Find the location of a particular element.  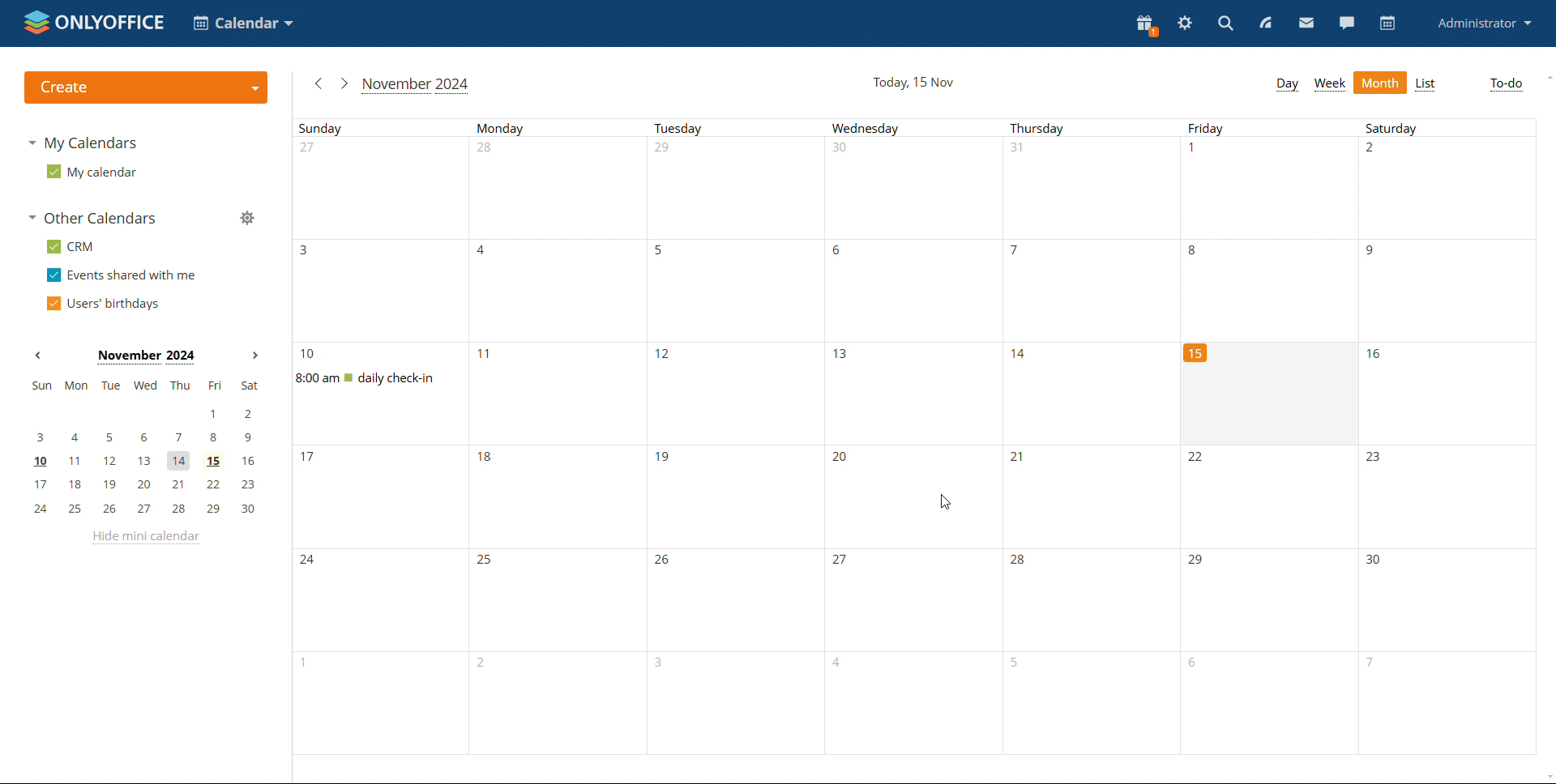

Number is located at coordinates (667, 356).